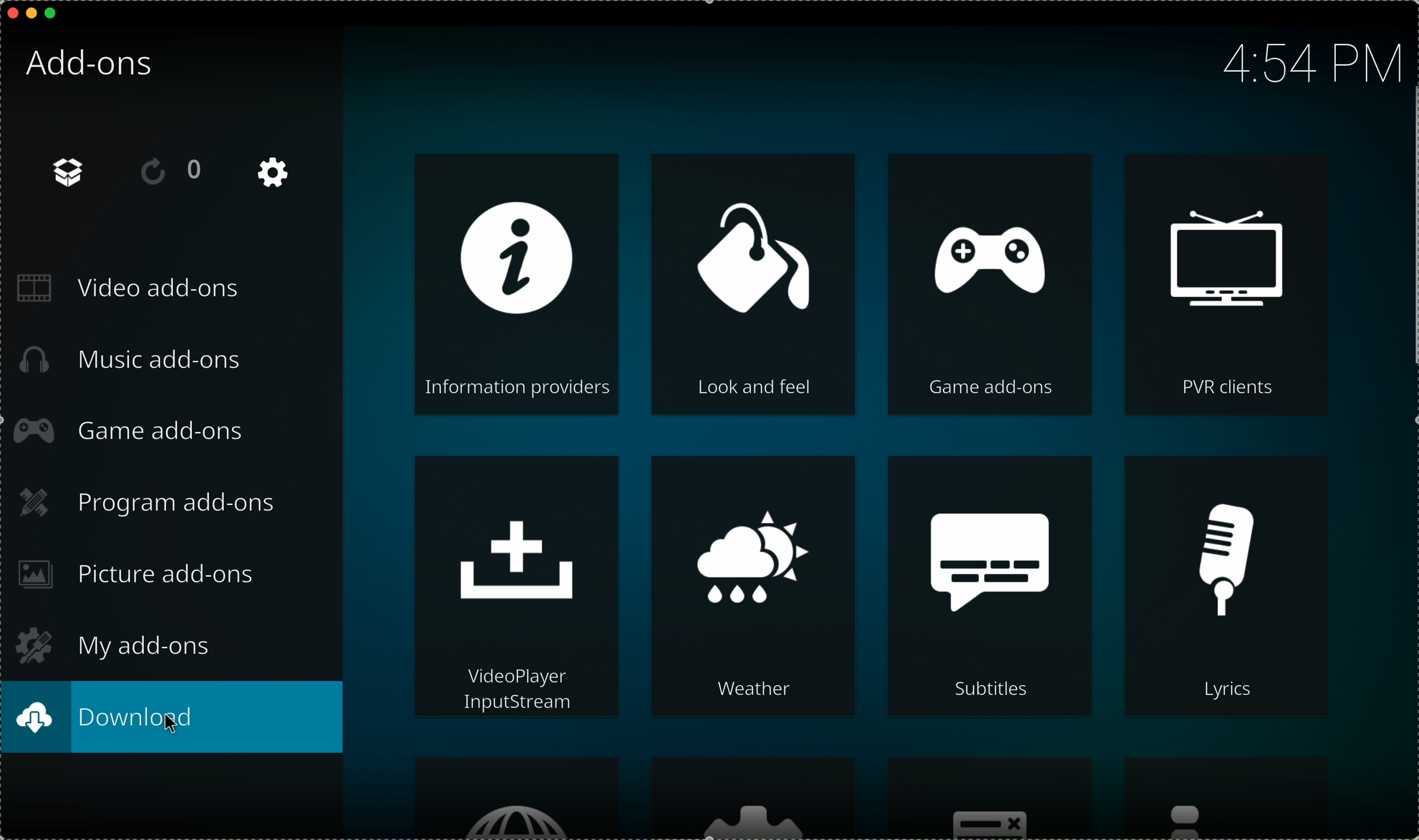 This screenshot has width=1419, height=840. Describe the element at coordinates (1310, 61) in the screenshot. I see `hour` at that location.